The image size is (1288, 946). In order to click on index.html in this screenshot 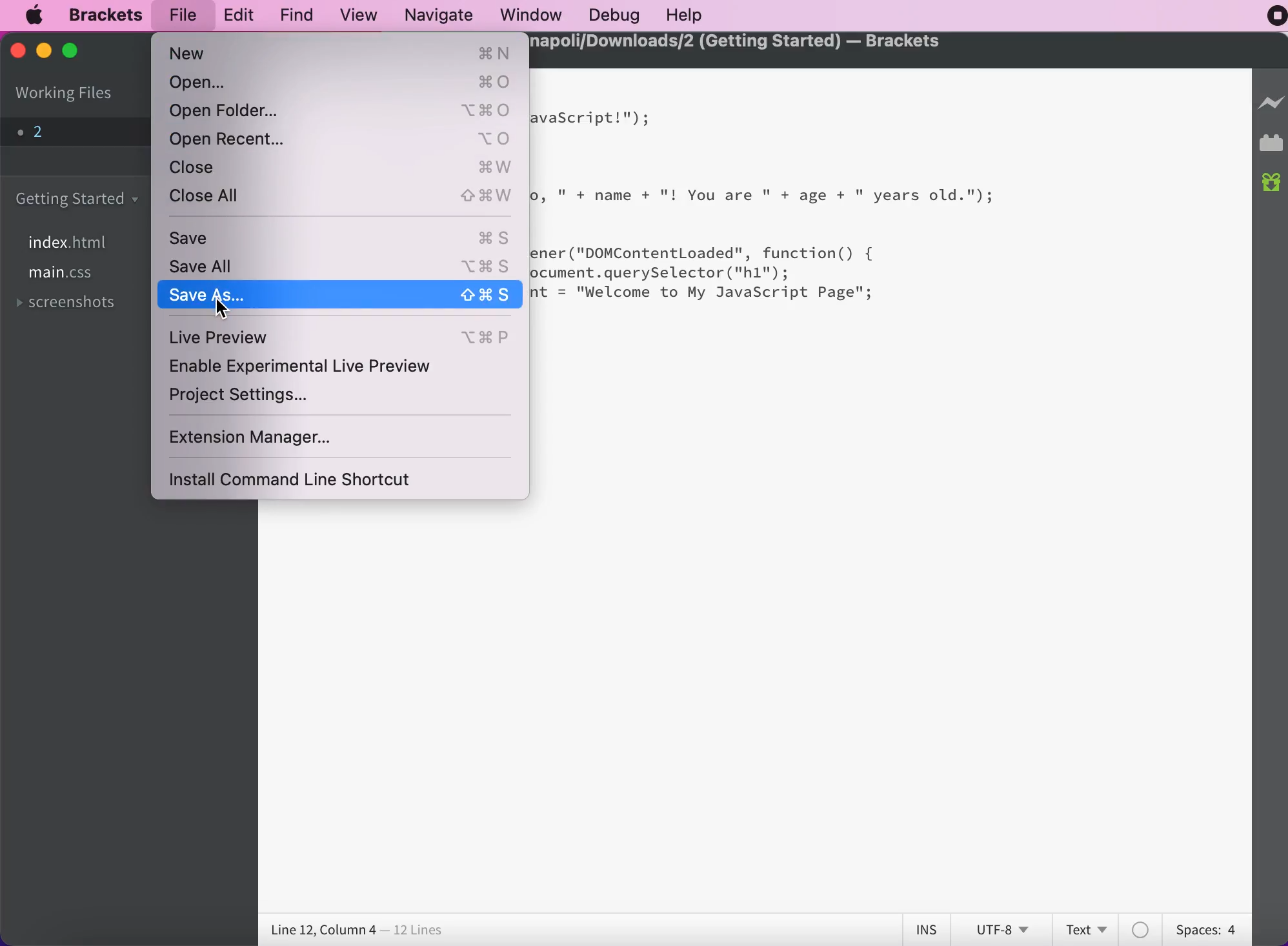, I will do `click(74, 243)`.